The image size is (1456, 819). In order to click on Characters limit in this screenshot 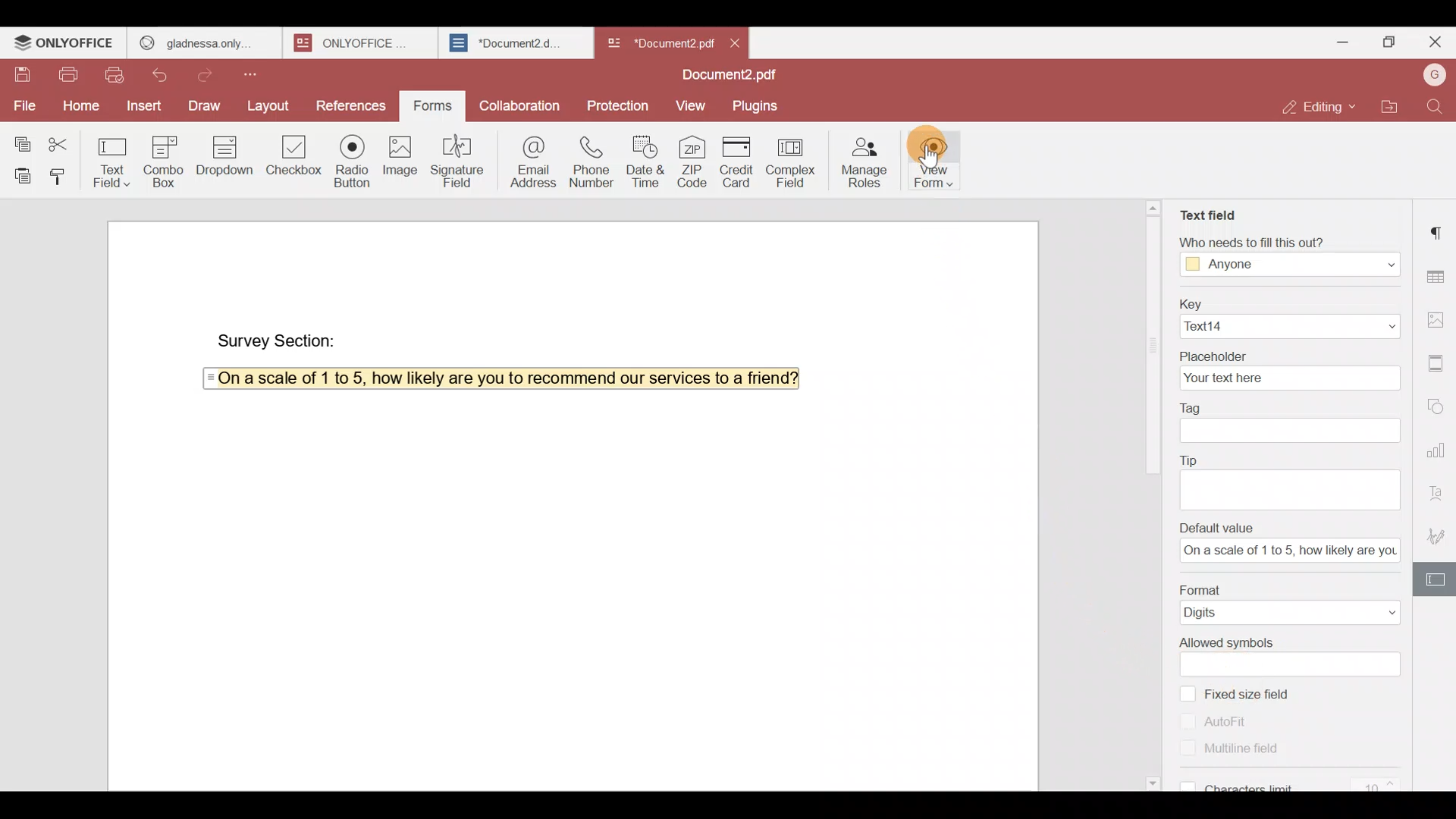, I will do `click(1296, 783)`.